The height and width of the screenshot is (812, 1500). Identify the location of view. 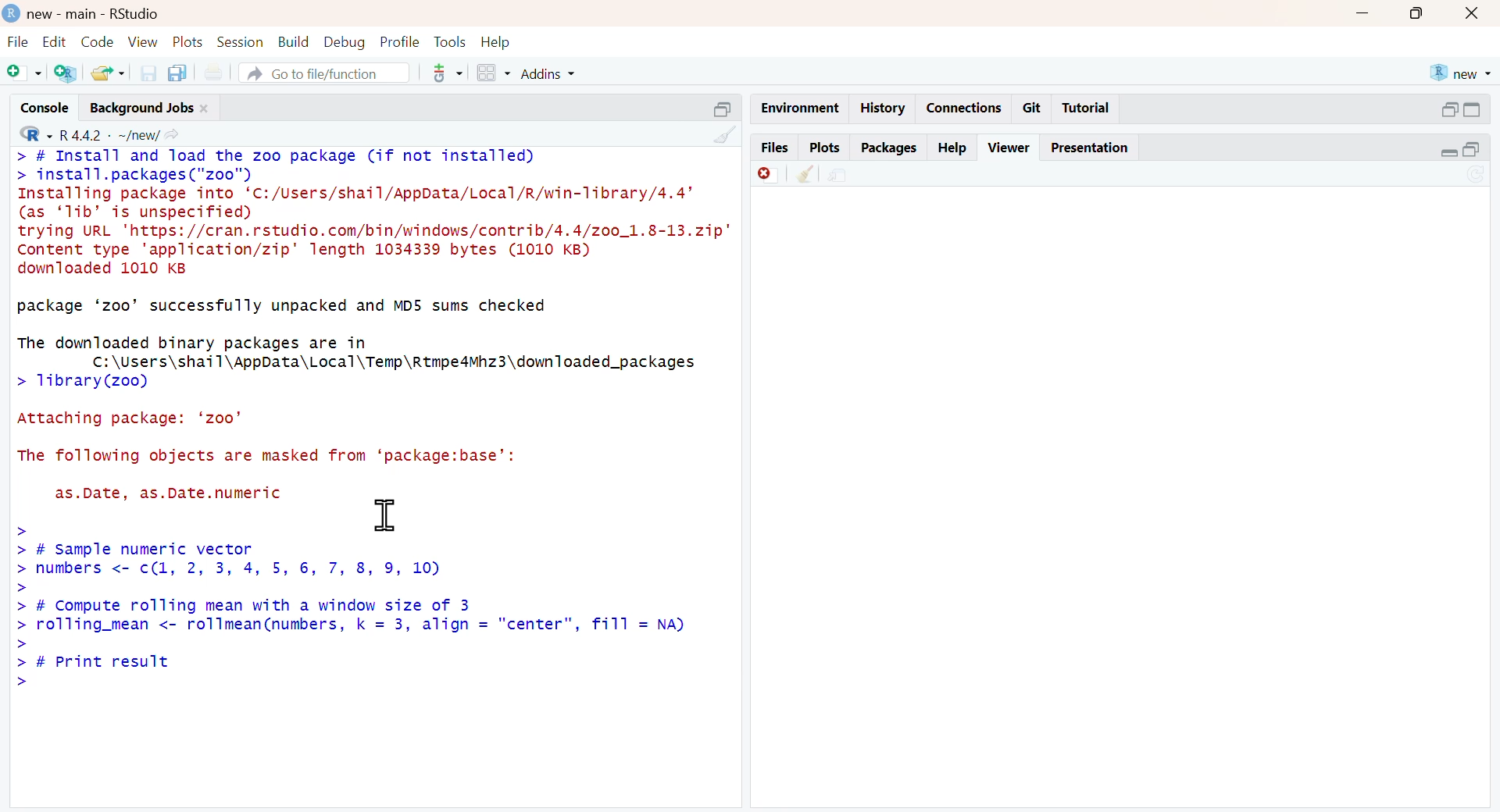
(144, 42).